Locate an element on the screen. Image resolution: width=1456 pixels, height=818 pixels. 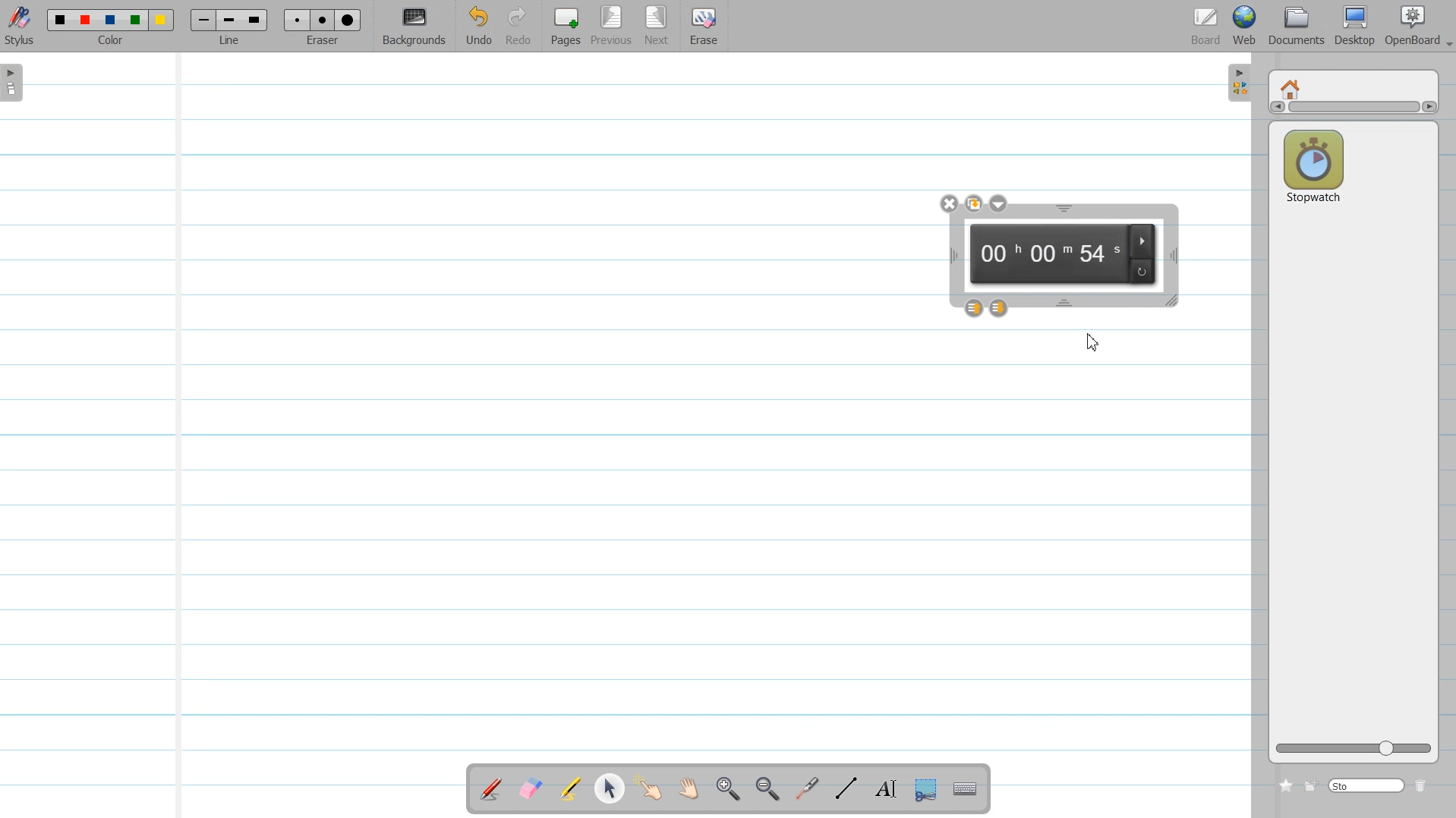
Highlight is located at coordinates (570, 788).